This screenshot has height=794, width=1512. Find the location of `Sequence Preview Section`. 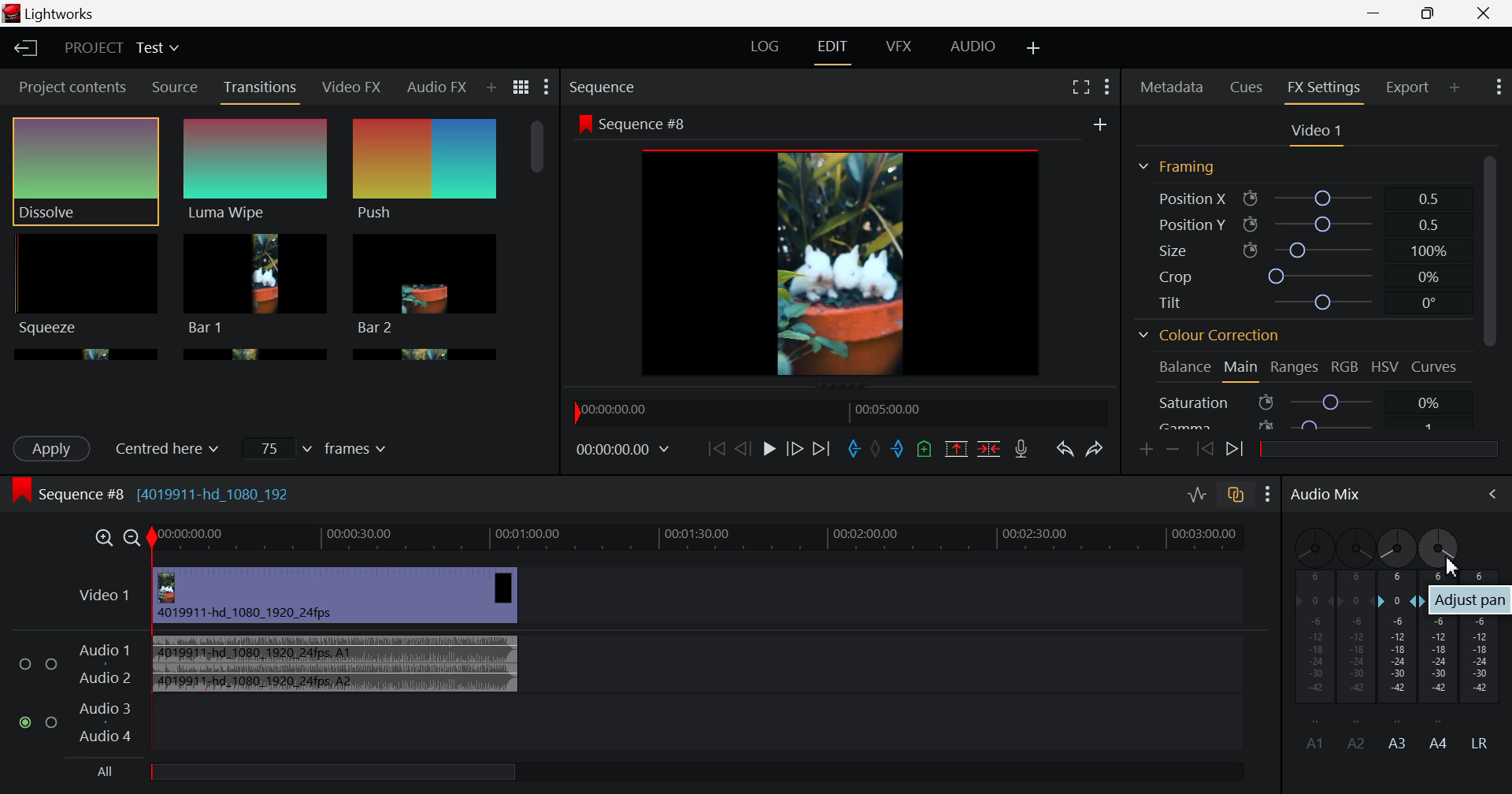

Sequence Preview Section is located at coordinates (606, 87).